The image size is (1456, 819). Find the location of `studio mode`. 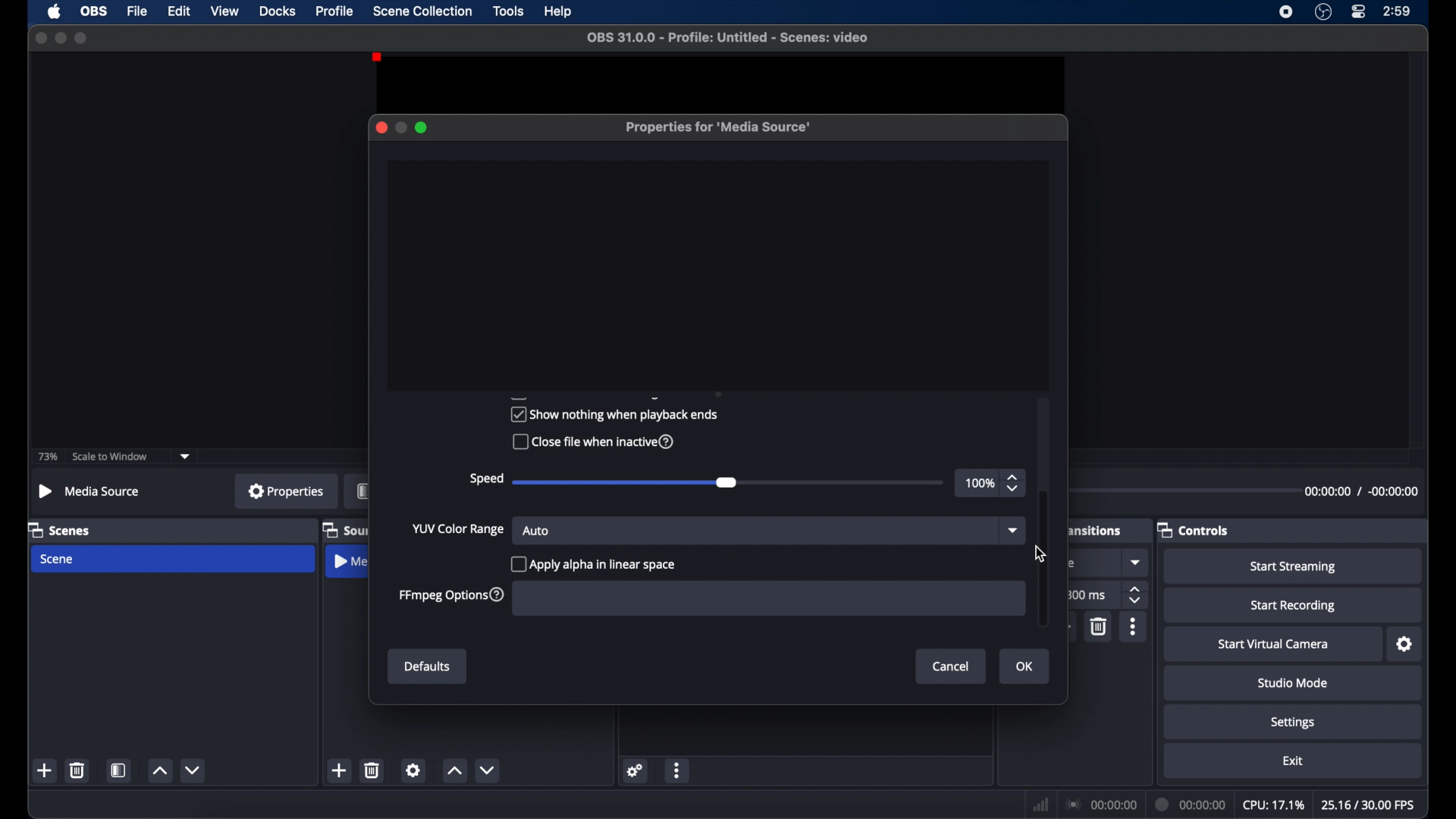

studio mode is located at coordinates (1291, 684).